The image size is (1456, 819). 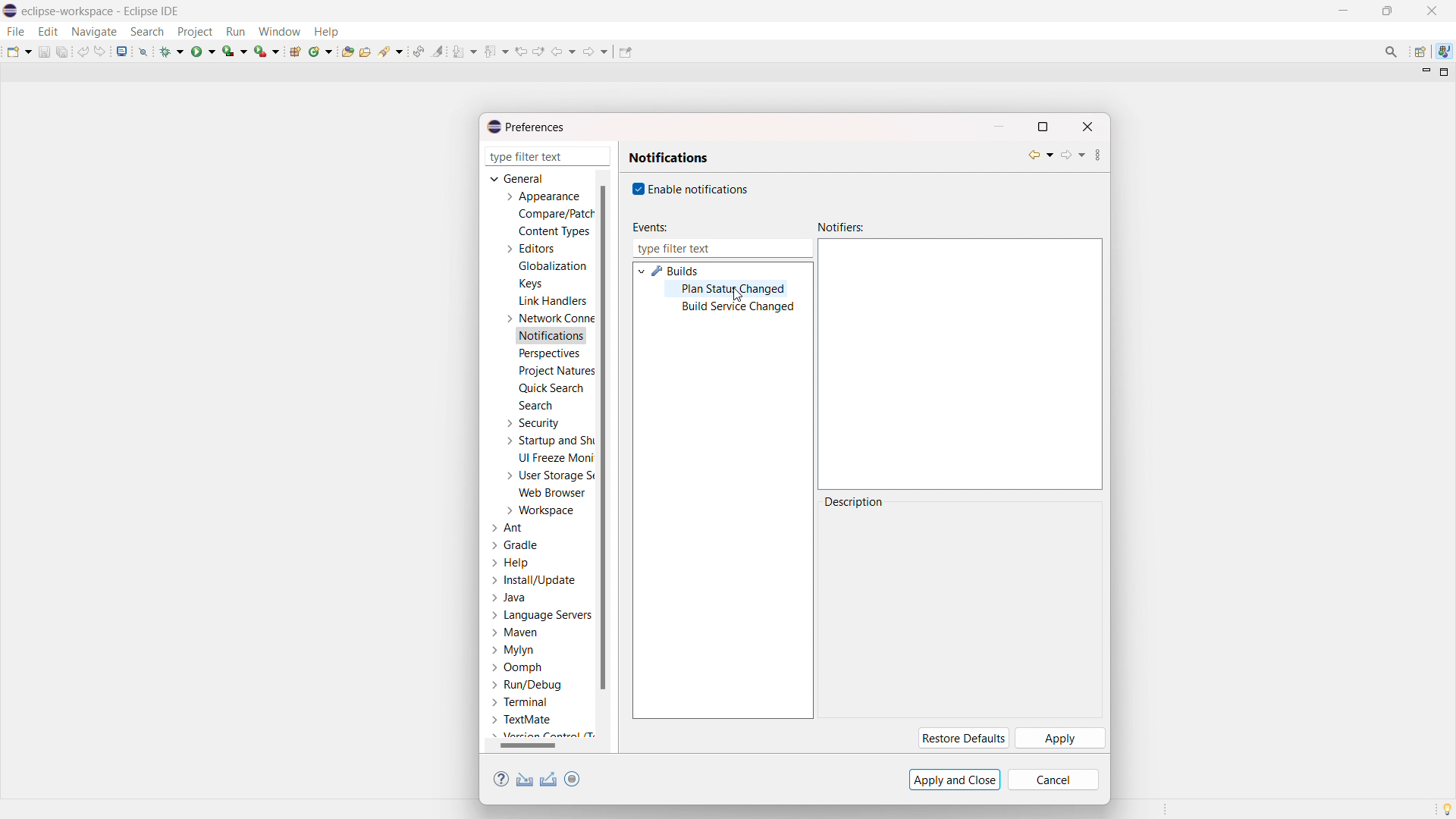 I want to click on debug, so click(x=172, y=51).